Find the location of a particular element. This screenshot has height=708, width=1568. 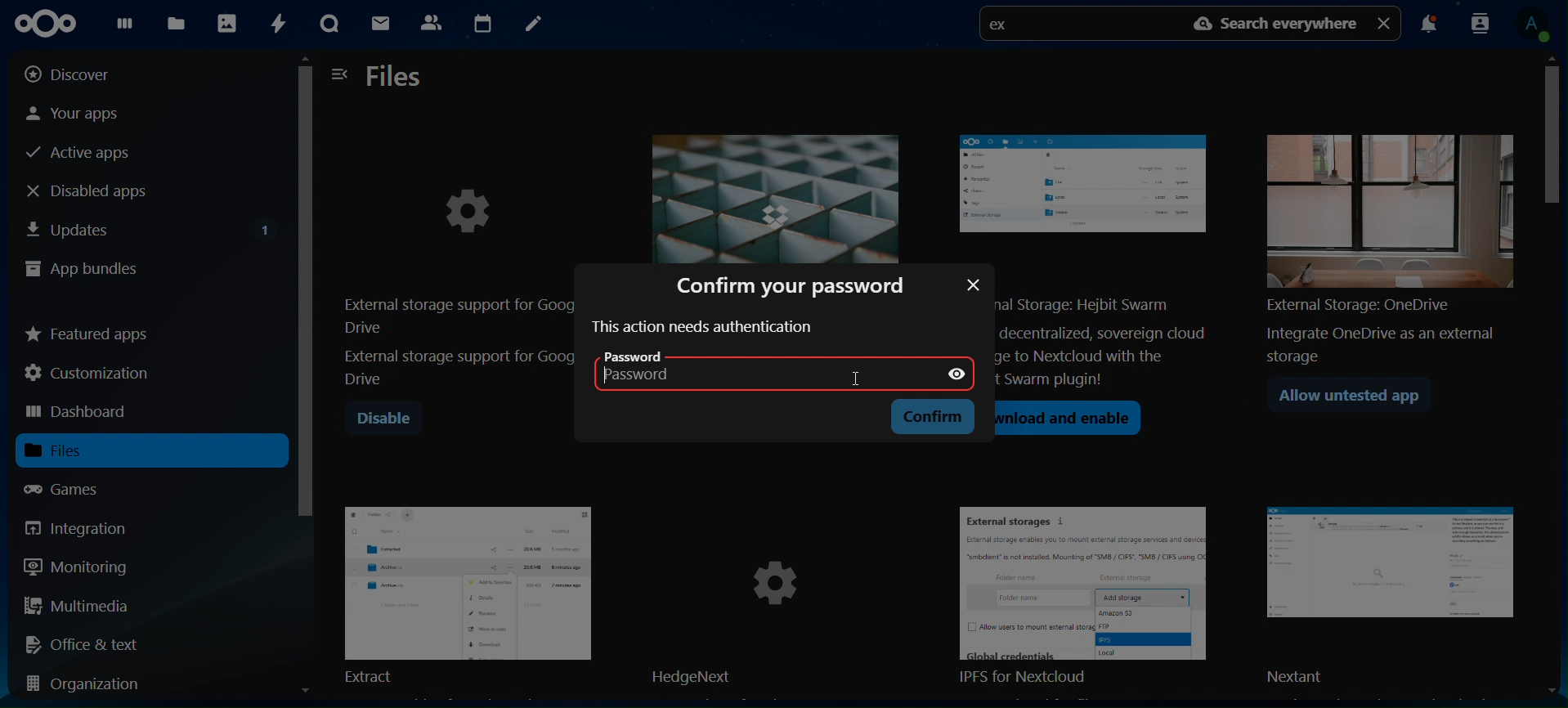

files is located at coordinates (75, 450).